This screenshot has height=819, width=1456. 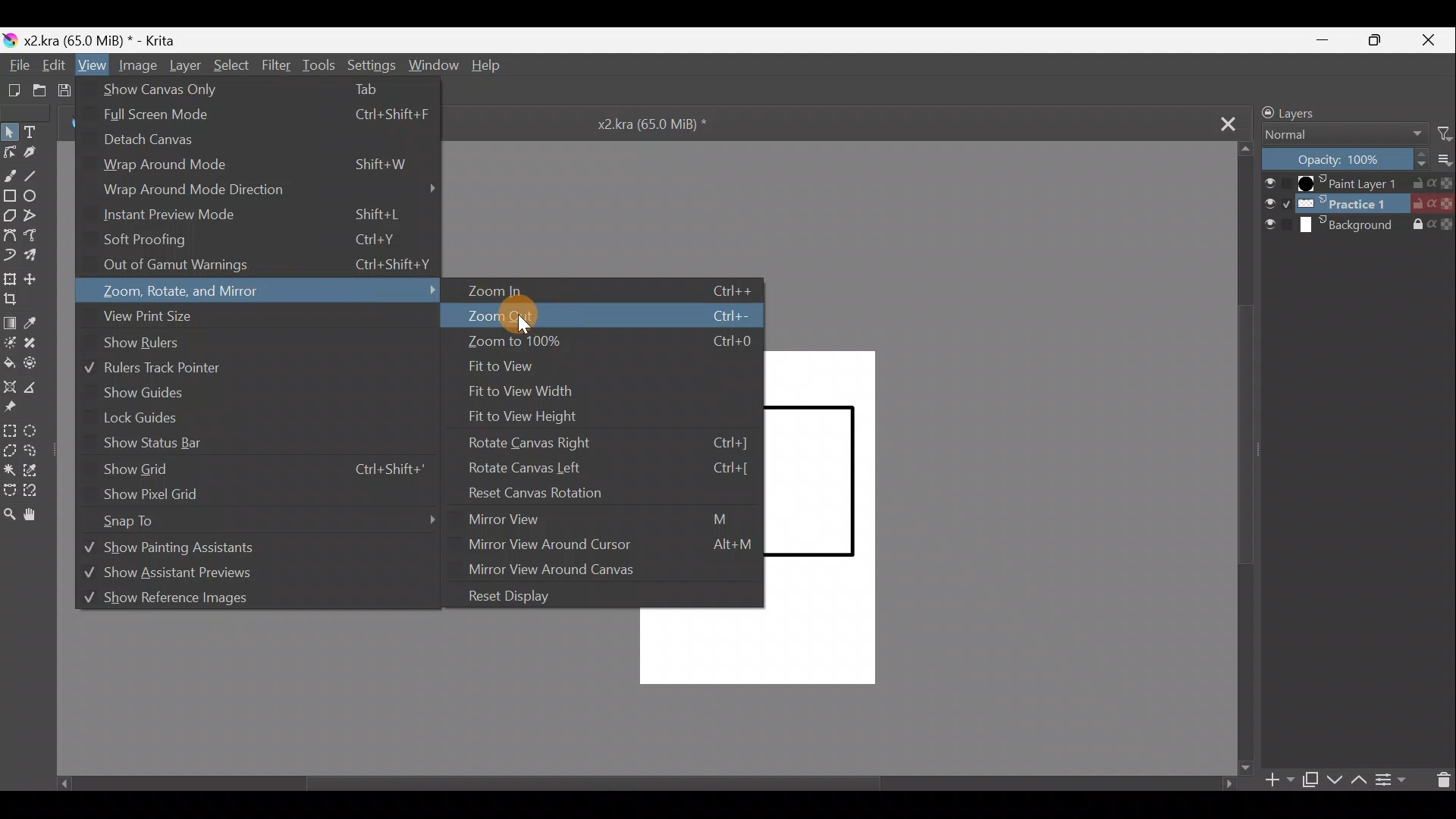 What do you see at coordinates (92, 40) in the screenshot?
I see `x2.kra` at bounding box center [92, 40].